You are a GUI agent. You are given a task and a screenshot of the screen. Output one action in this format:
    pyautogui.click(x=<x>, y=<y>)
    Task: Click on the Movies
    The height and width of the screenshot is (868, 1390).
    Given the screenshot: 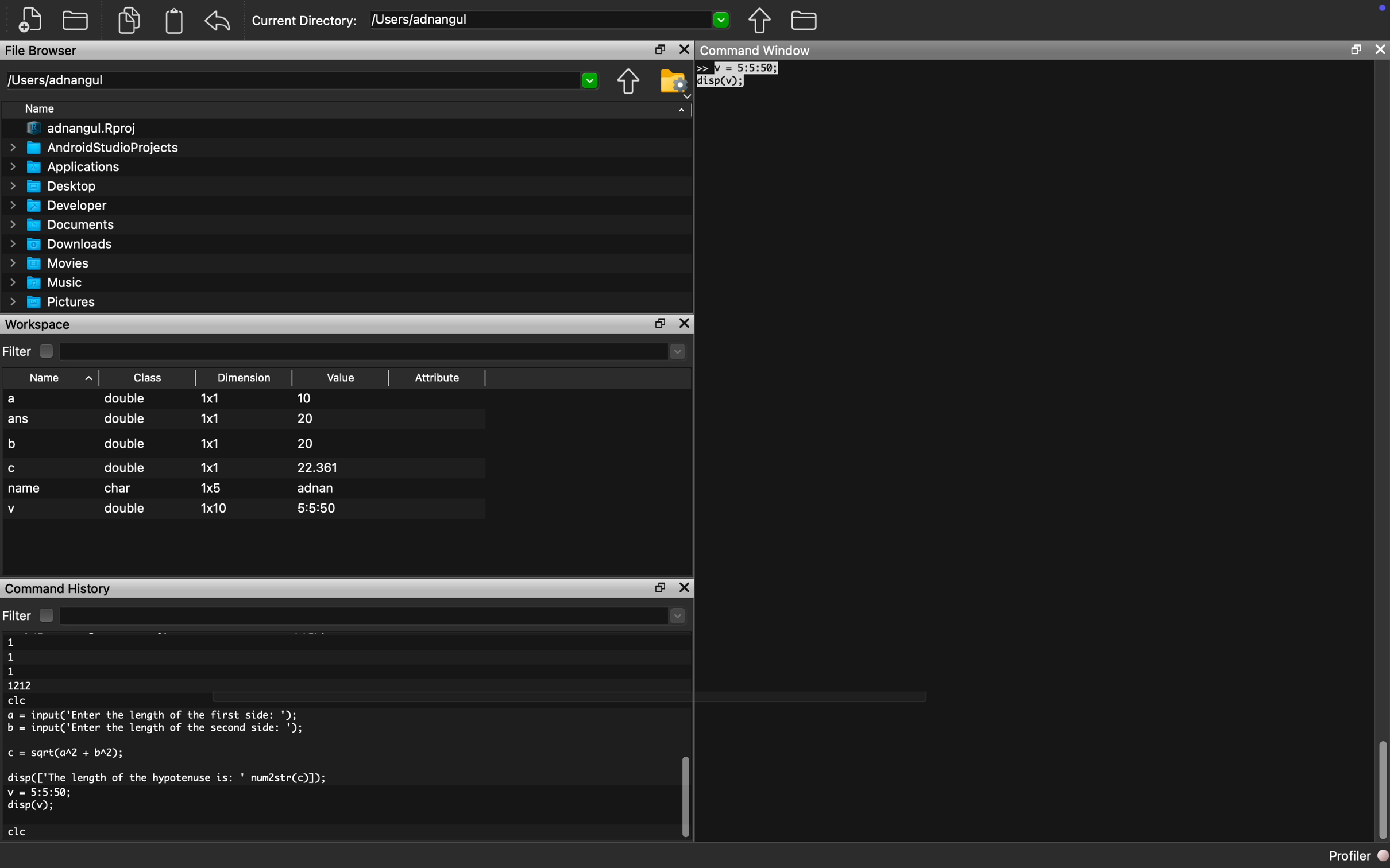 What is the action you would take?
    pyautogui.click(x=48, y=263)
    